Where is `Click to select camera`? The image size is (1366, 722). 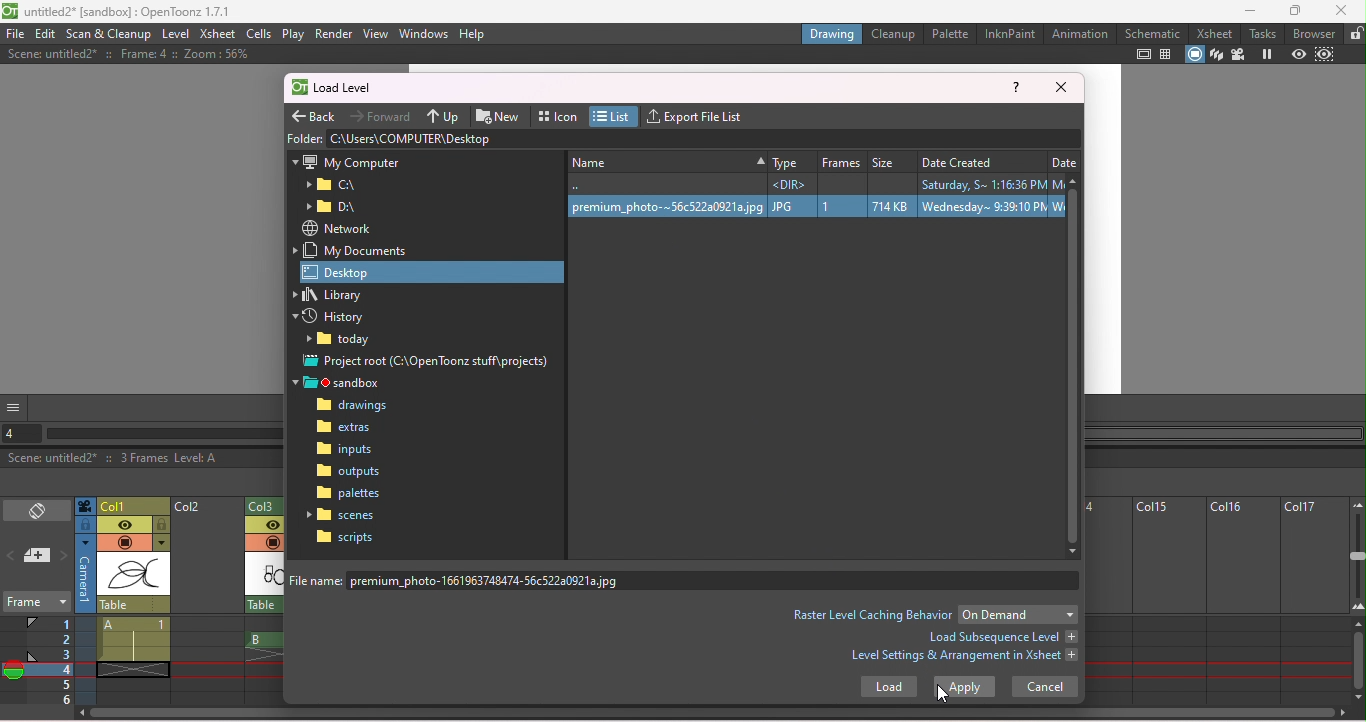
Click to select camera is located at coordinates (85, 506).